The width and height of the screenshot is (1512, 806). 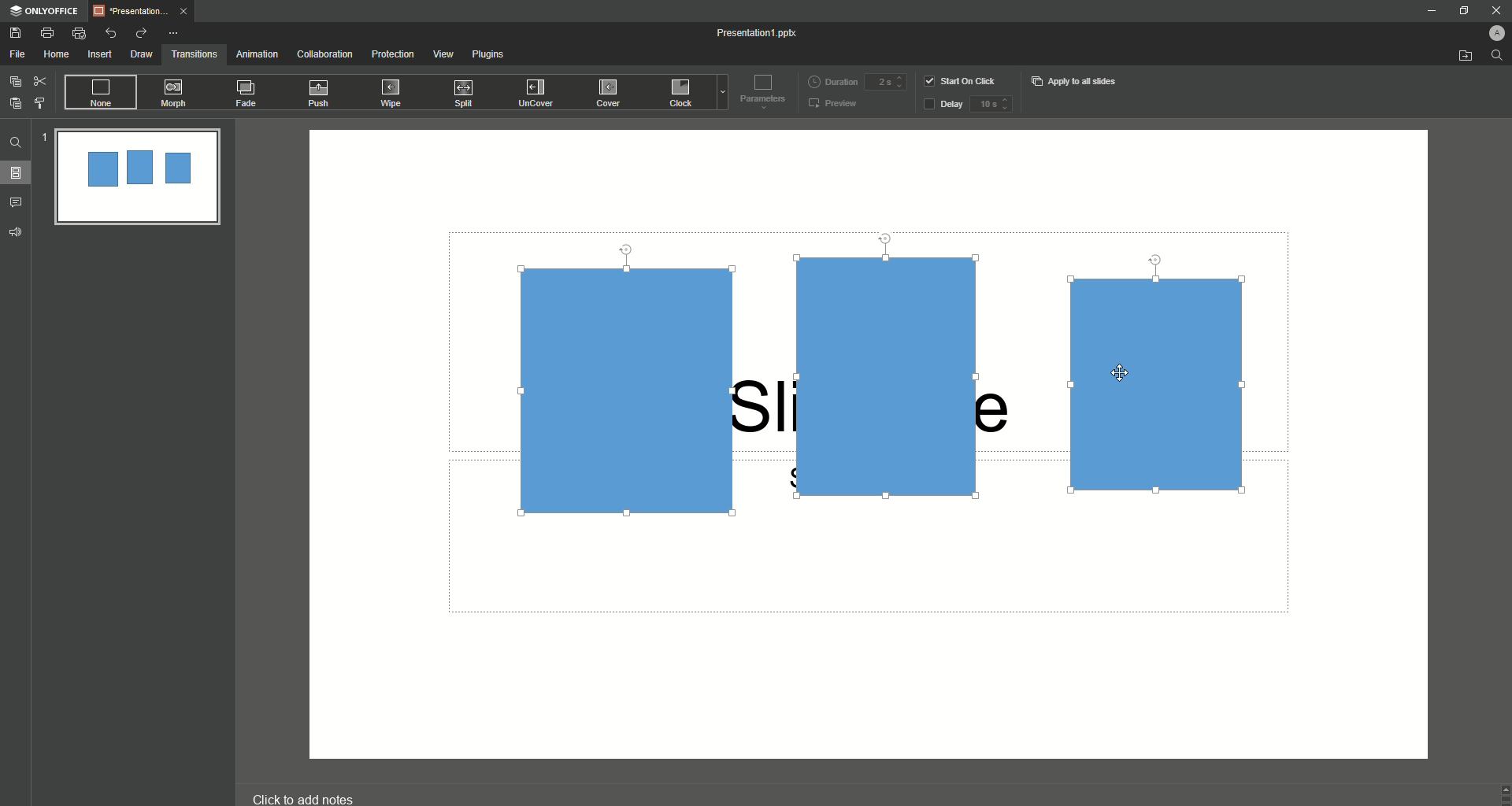 I want to click on Tab 1, so click(x=145, y=11).